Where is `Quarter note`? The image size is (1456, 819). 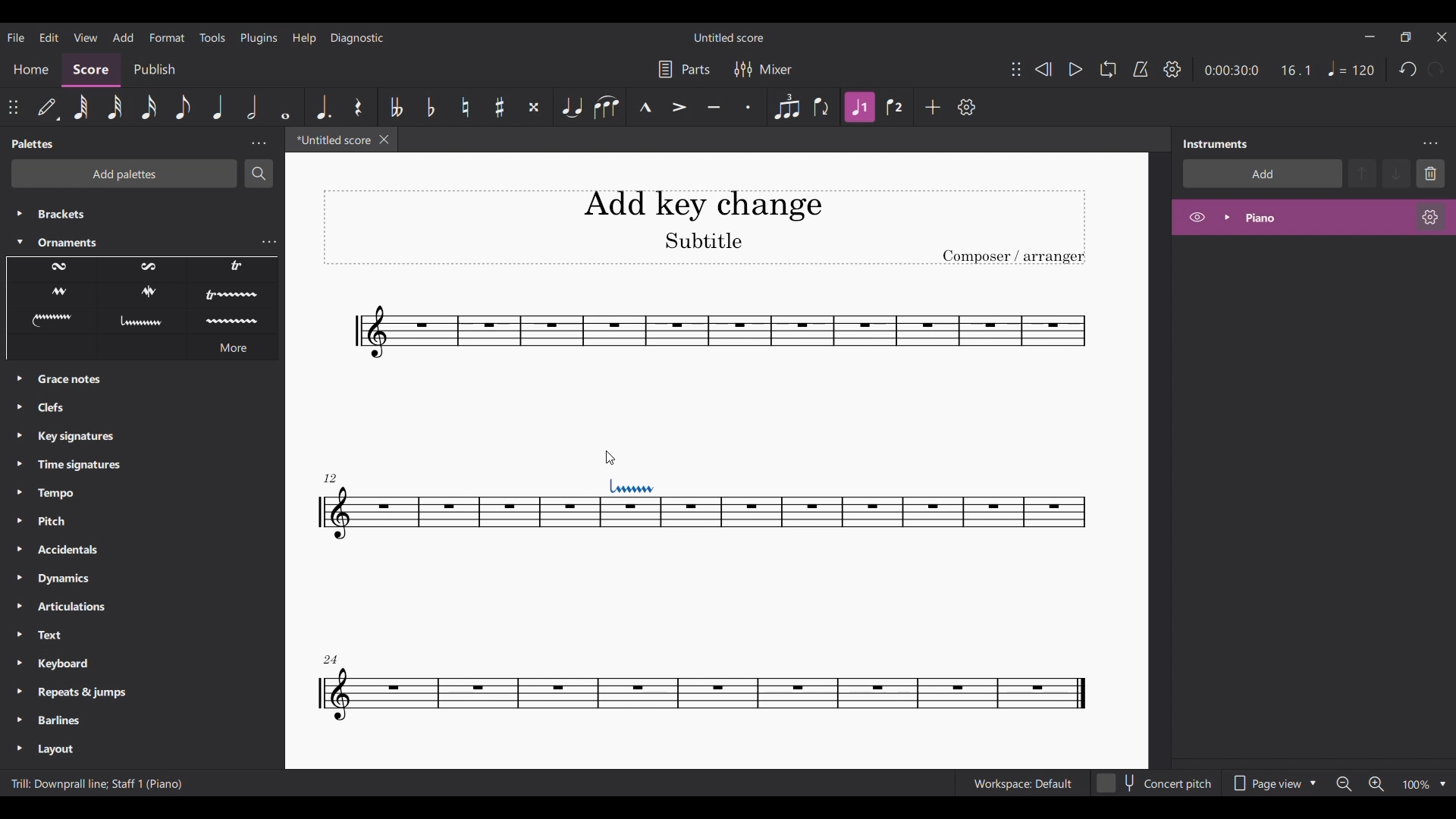
Quarter note is located at coordinates (218, 106).